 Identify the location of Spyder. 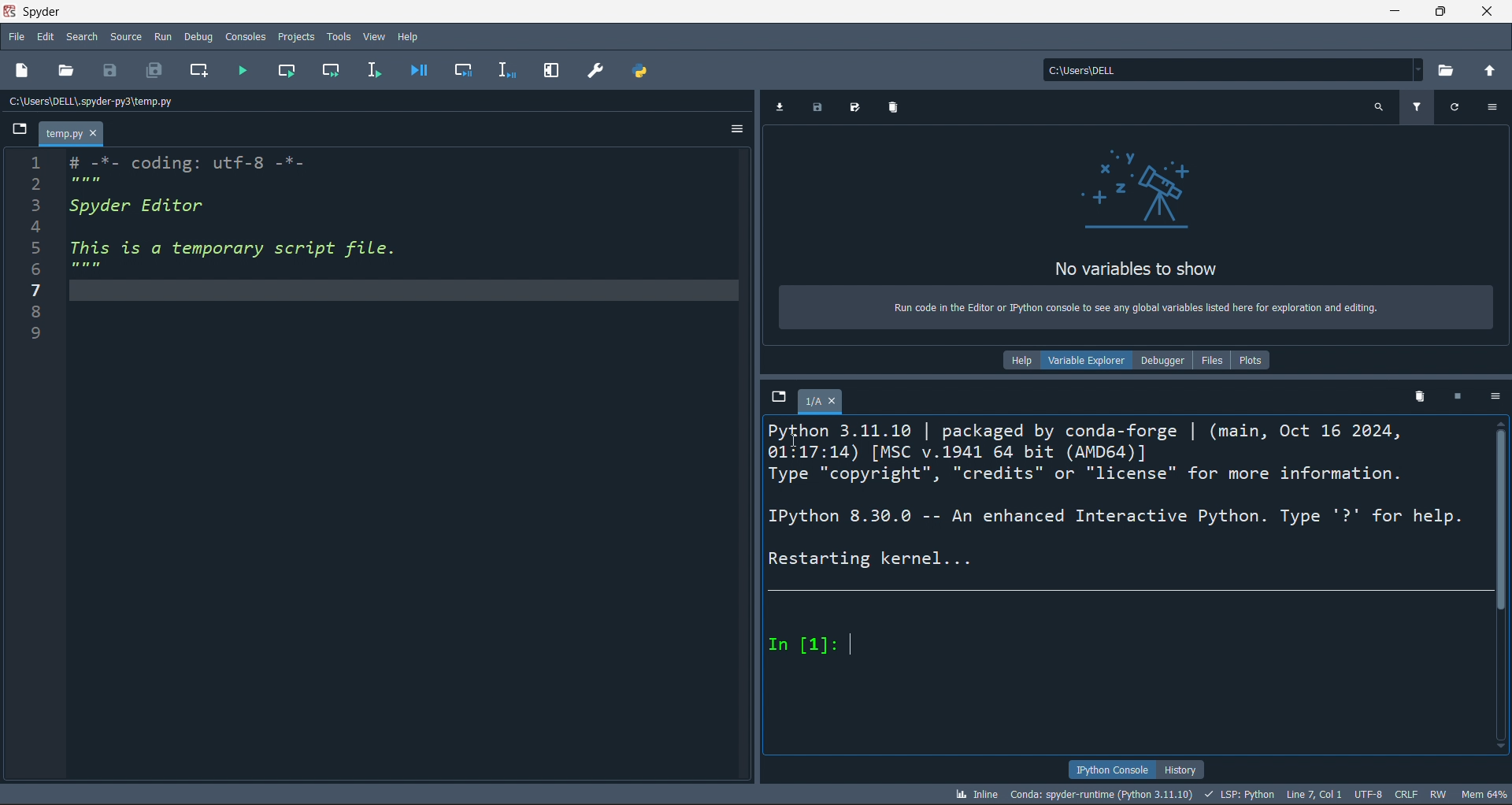
(42, 12).